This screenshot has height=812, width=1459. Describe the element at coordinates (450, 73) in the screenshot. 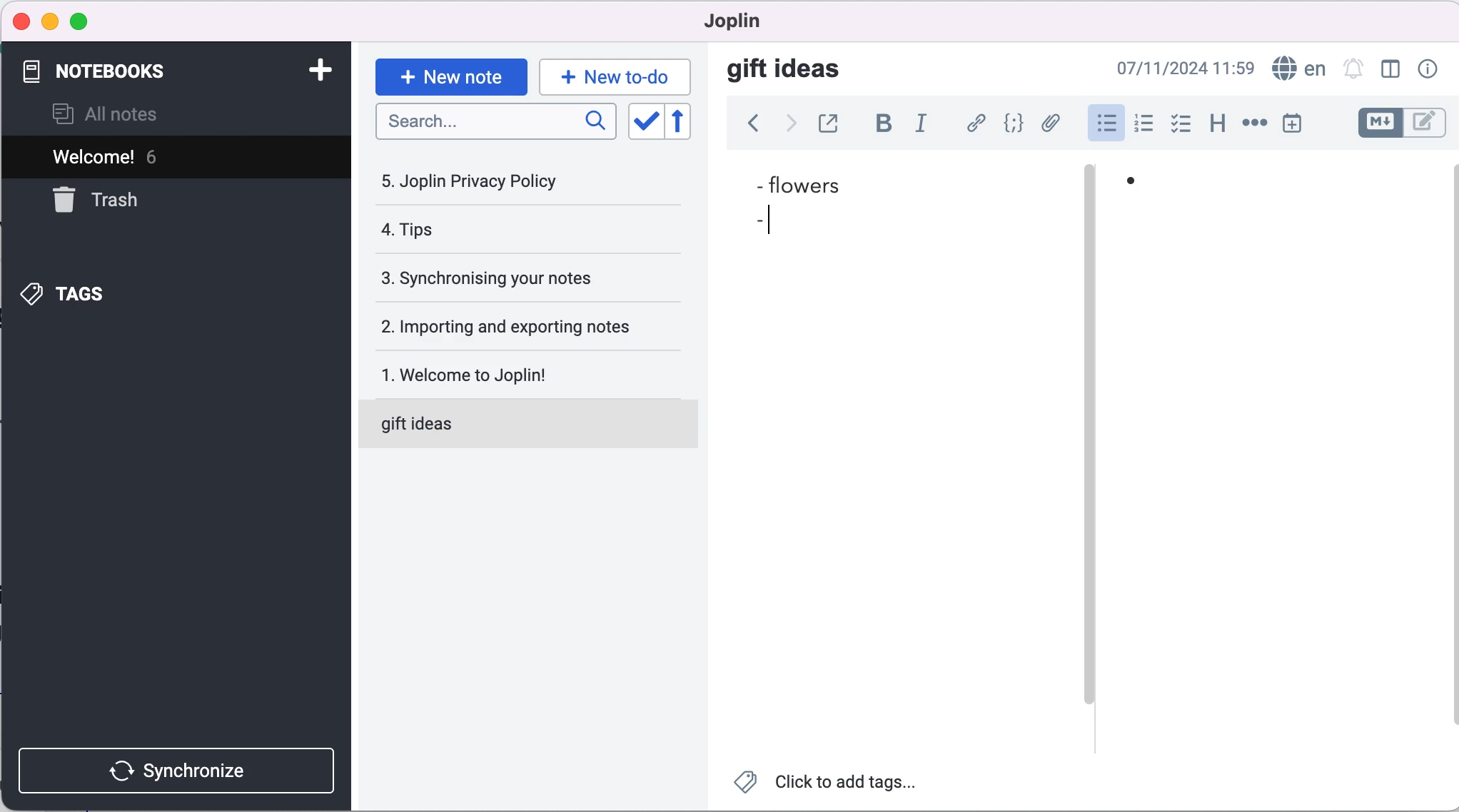

I see `new note` at that location.